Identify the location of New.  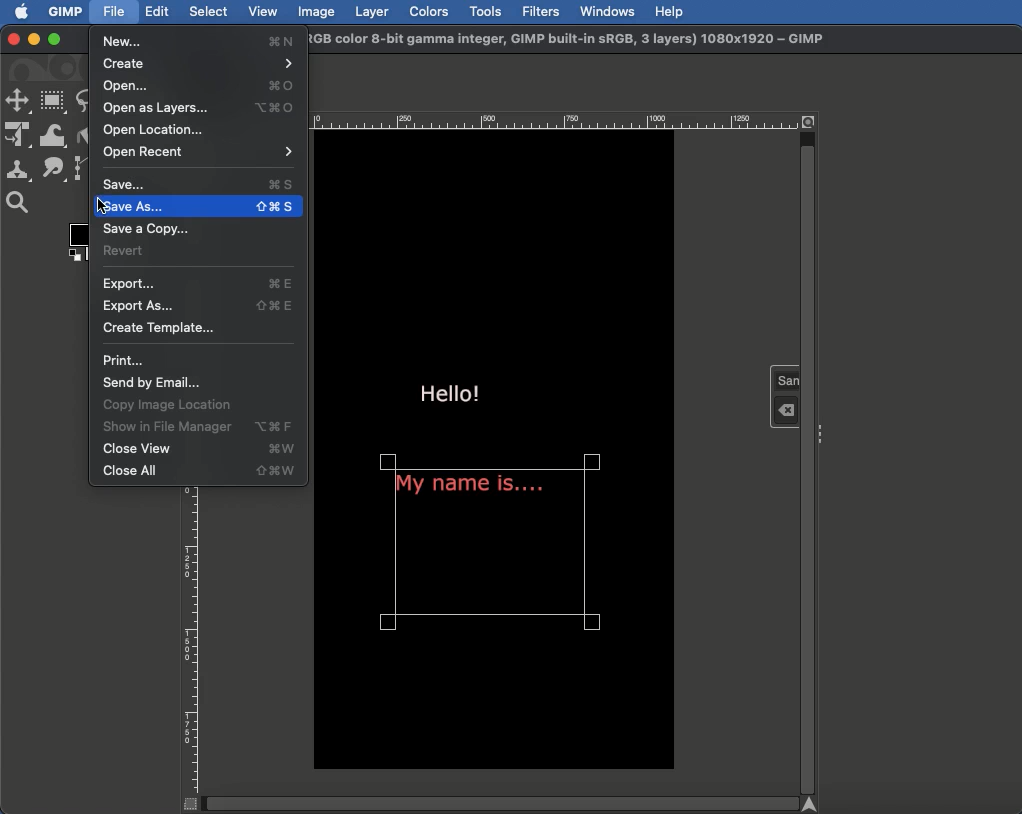
(201, 40).